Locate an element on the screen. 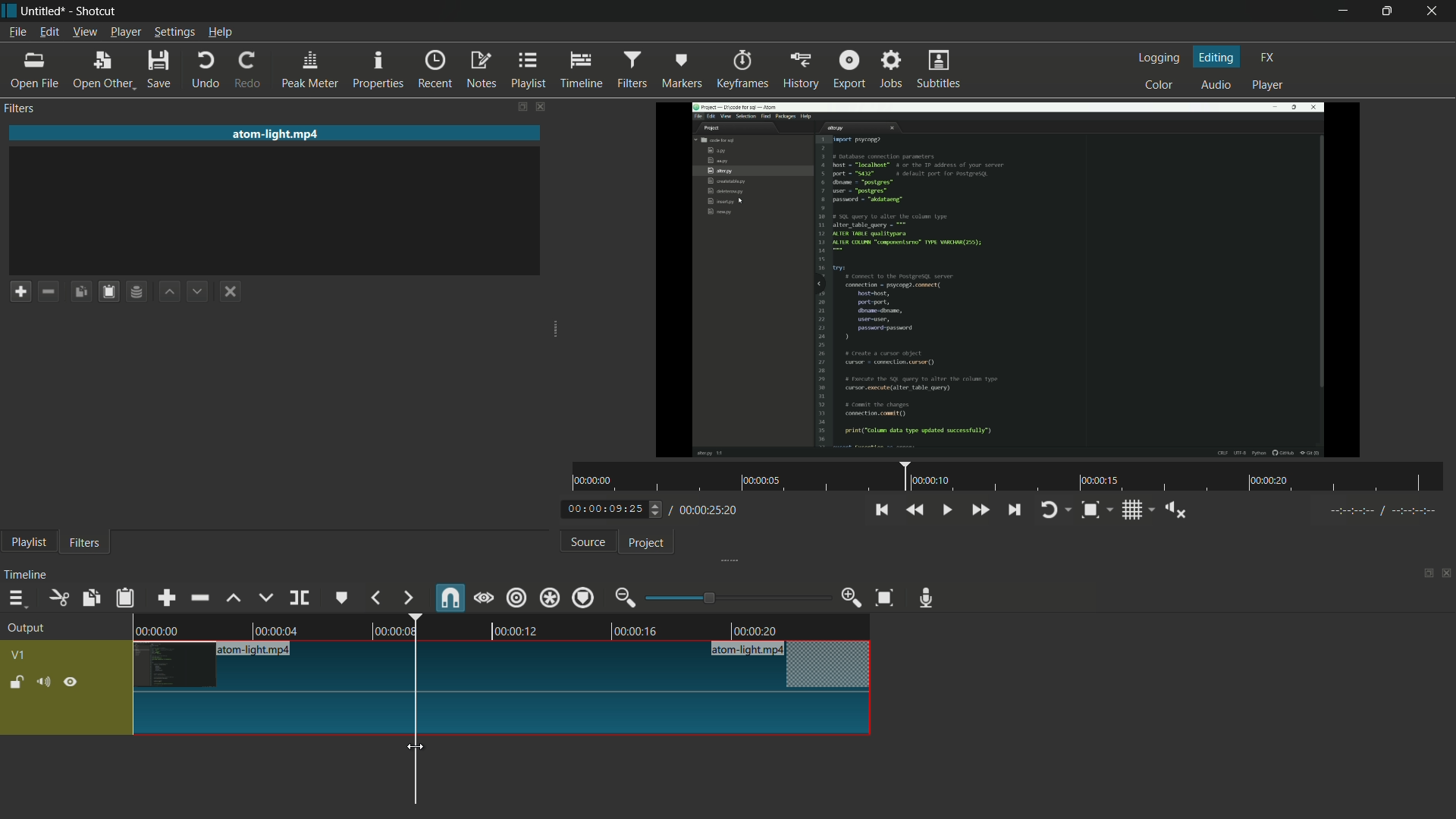  project is located at coordinates (648, 544).